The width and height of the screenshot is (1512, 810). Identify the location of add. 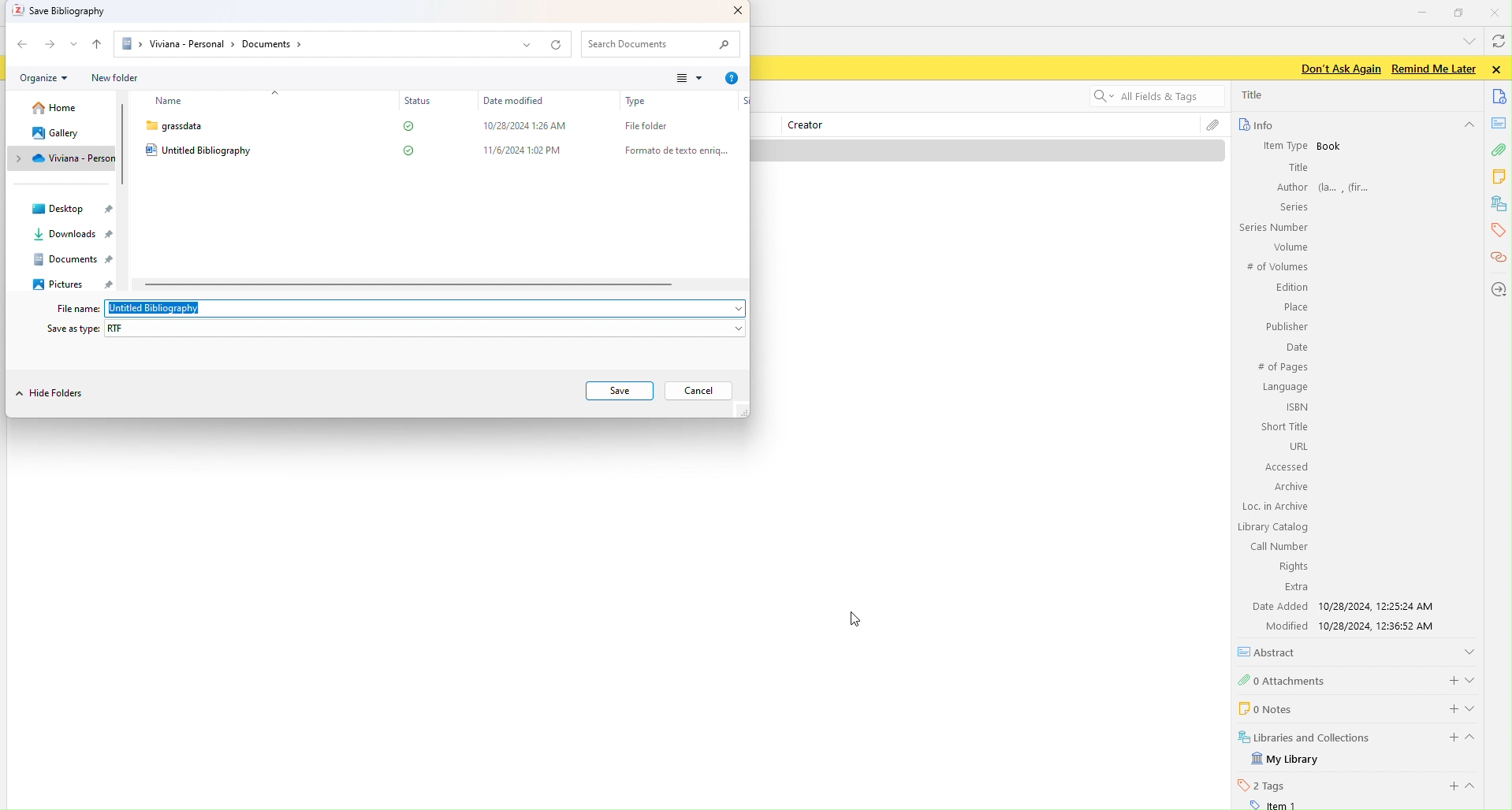
(1449, 678).